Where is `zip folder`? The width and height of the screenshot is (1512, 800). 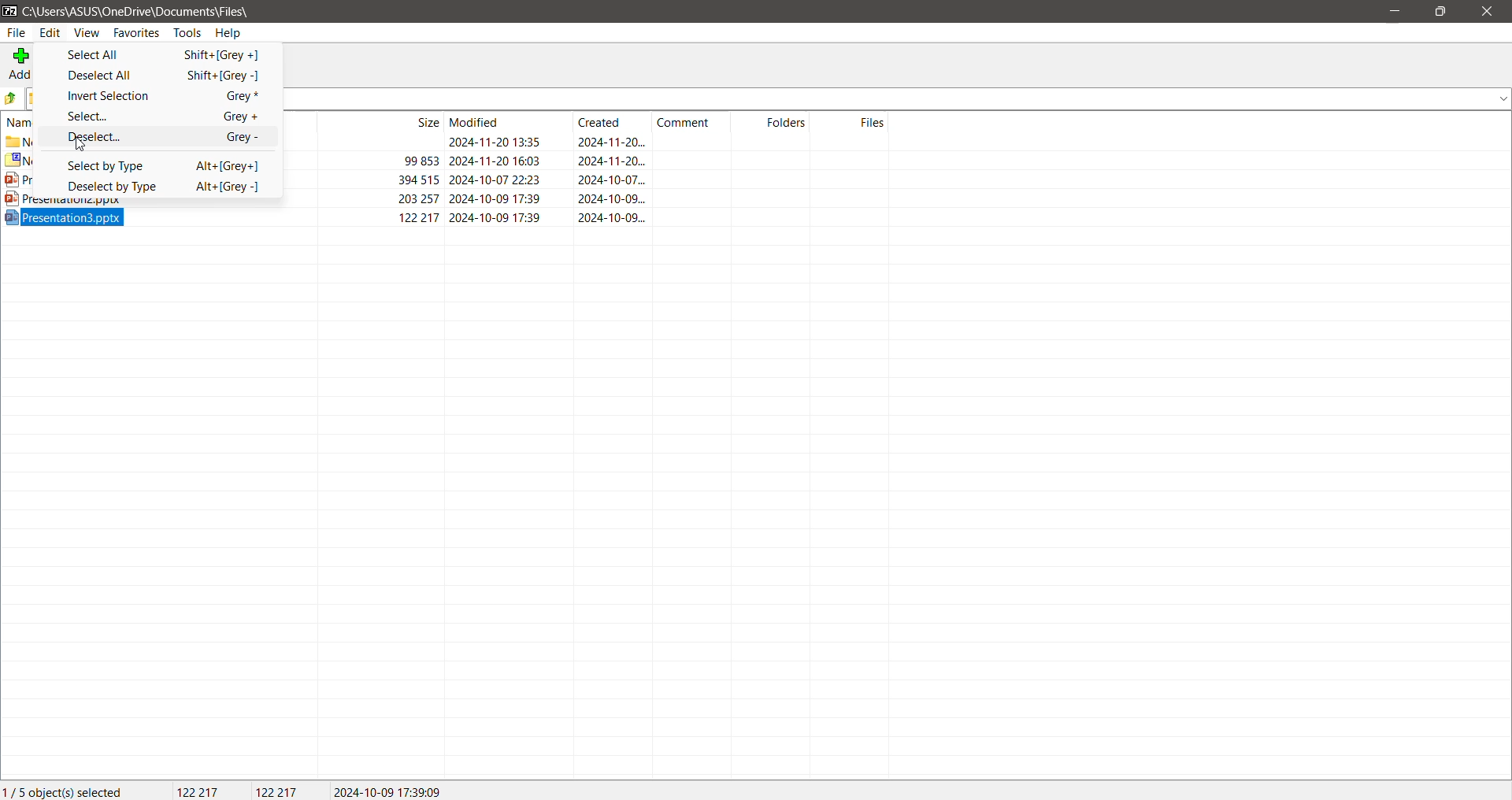
zip folder is located at coordinates (584, 159).